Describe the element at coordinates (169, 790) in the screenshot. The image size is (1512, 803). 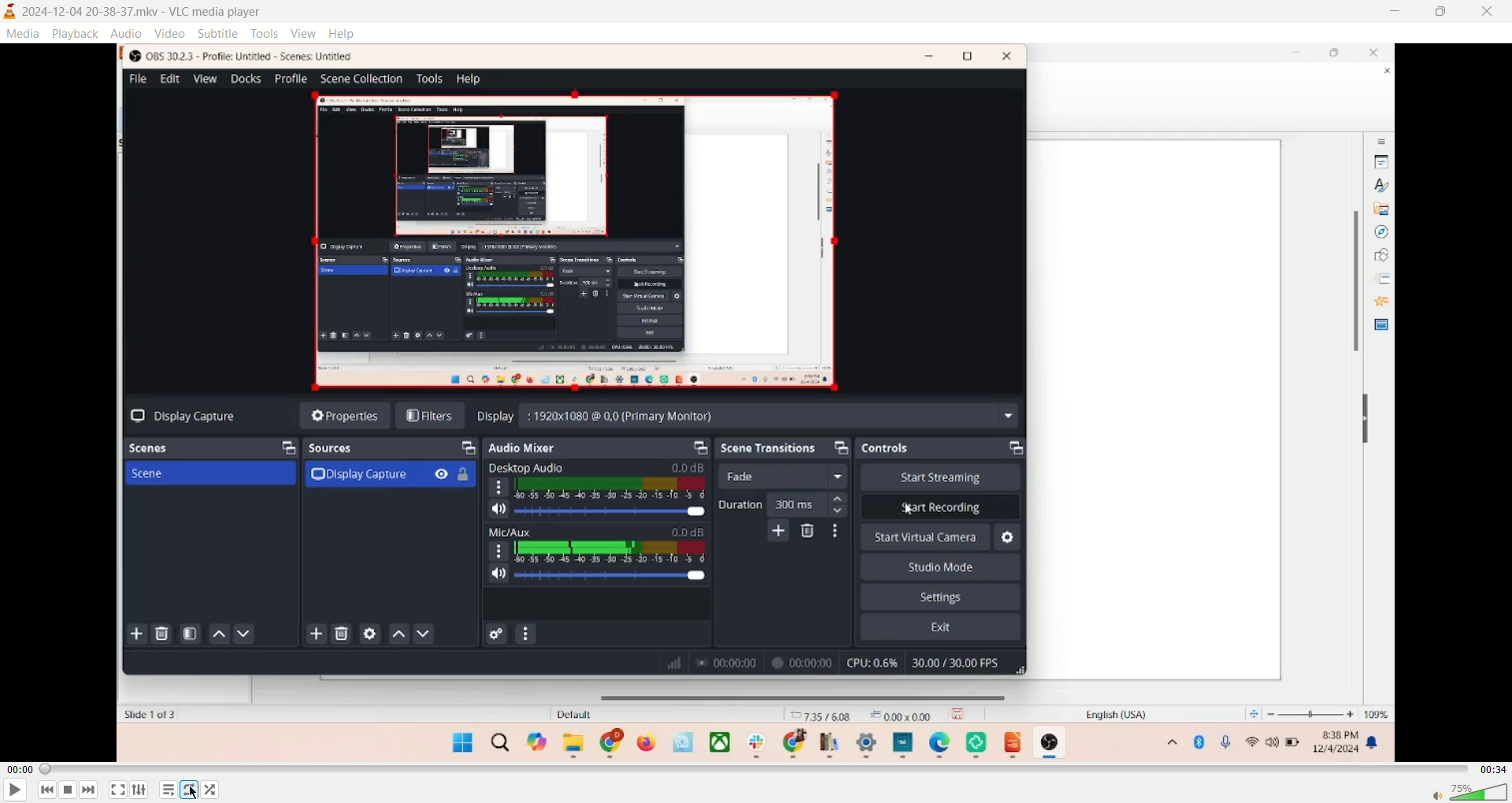
I see `playlist` at that location.